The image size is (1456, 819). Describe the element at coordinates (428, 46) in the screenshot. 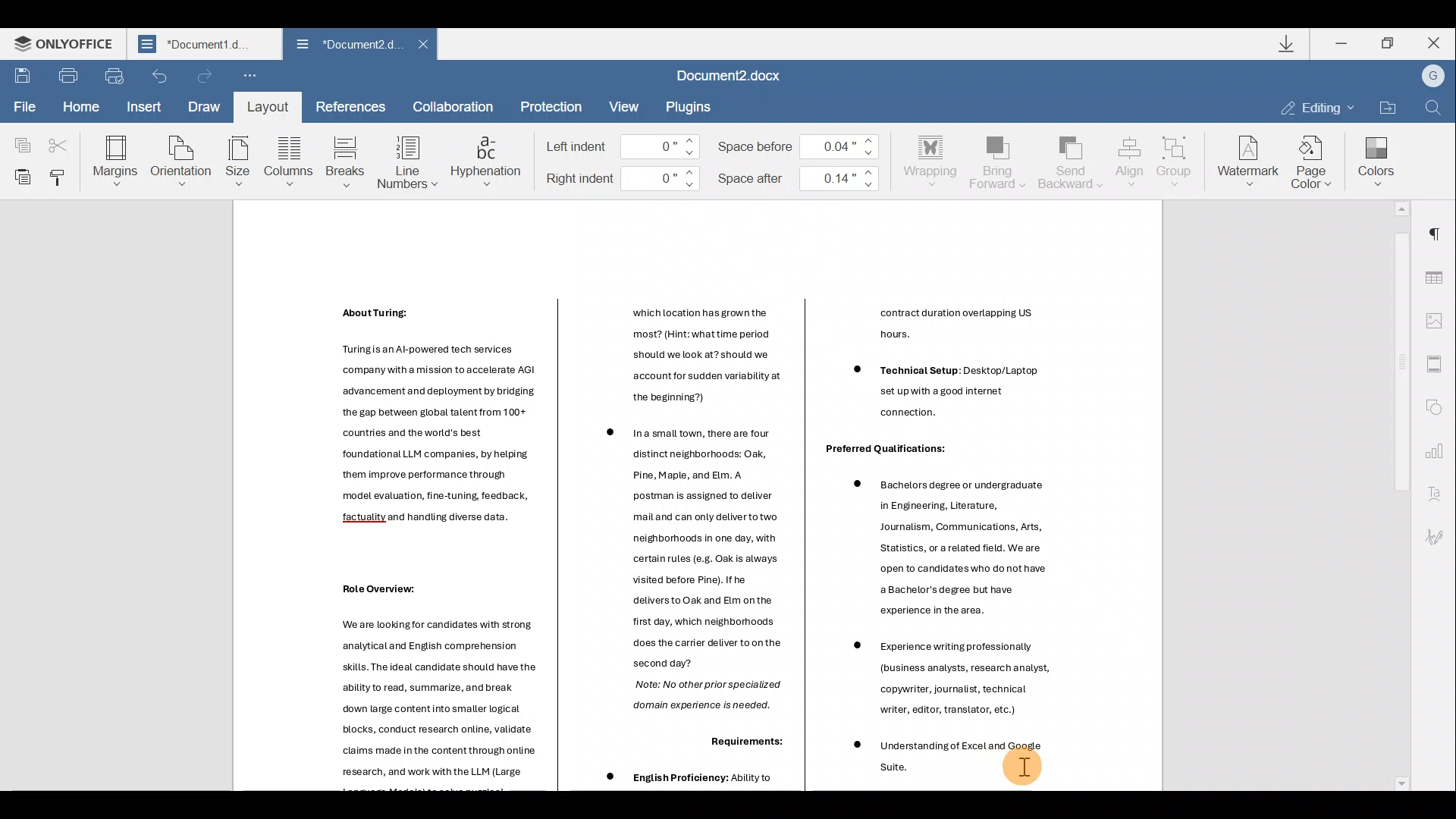

I see `Close` at that location.